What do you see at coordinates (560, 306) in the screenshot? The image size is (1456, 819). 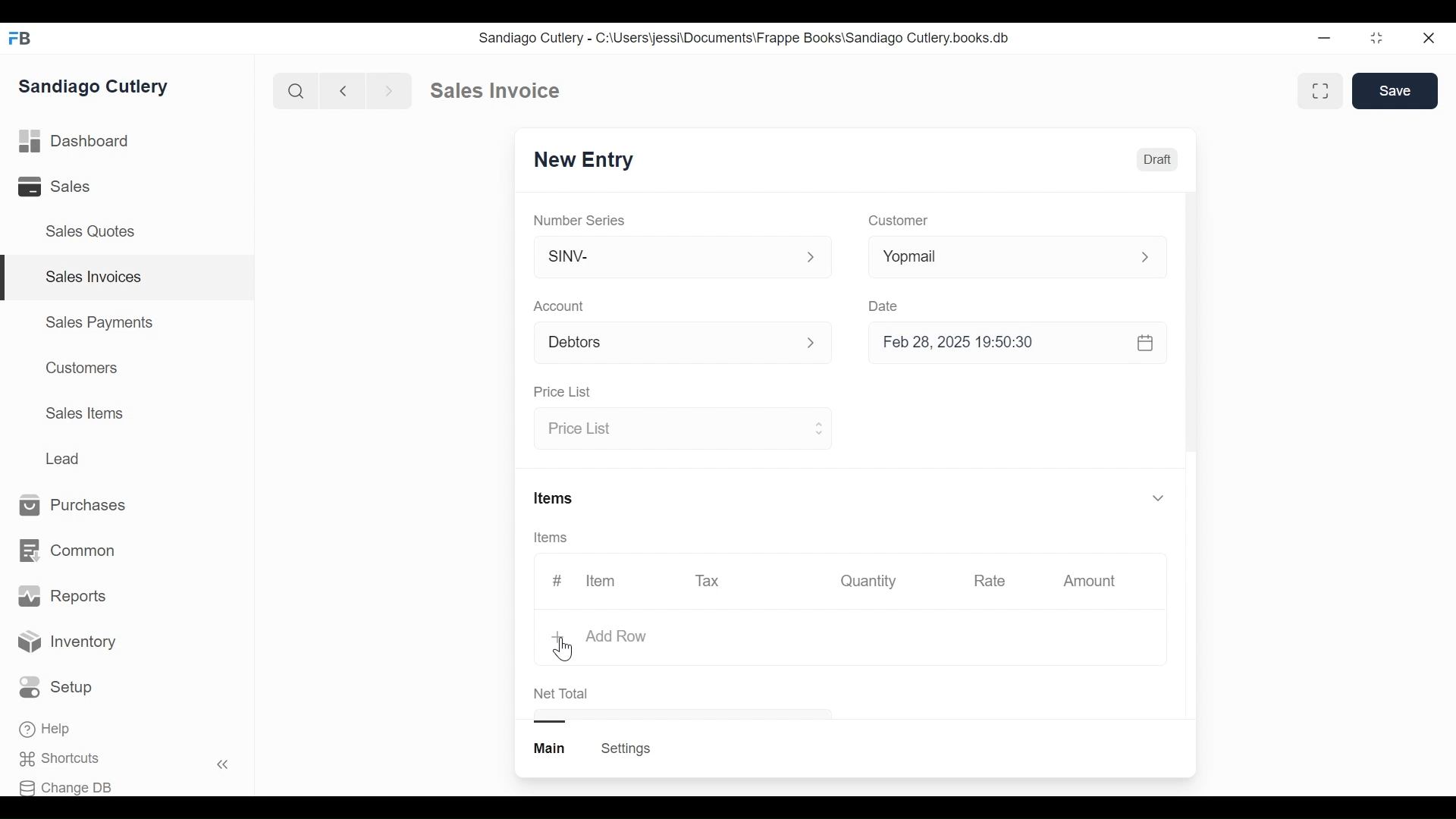 I see `Account` at bounding box center [560, 306].